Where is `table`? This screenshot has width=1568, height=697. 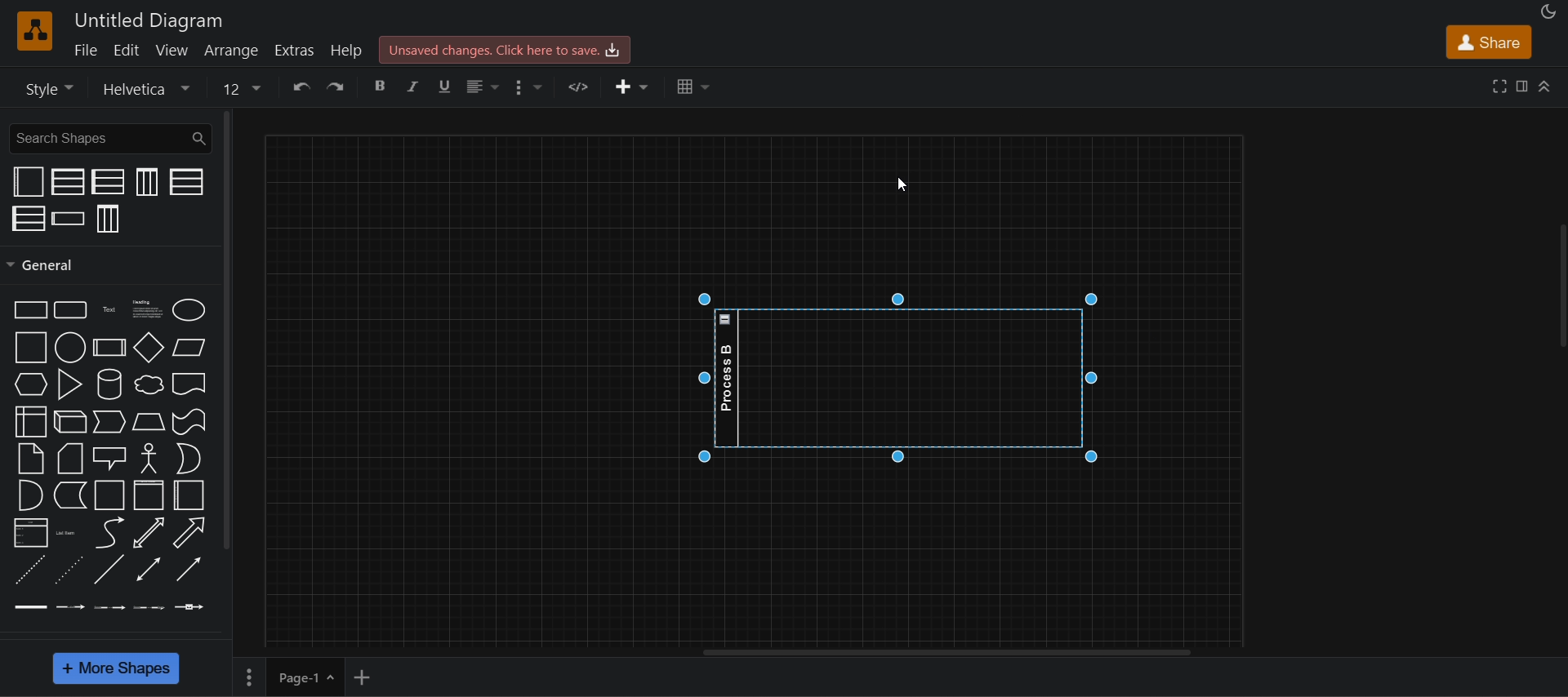 table is located at coordinates (693, 87).